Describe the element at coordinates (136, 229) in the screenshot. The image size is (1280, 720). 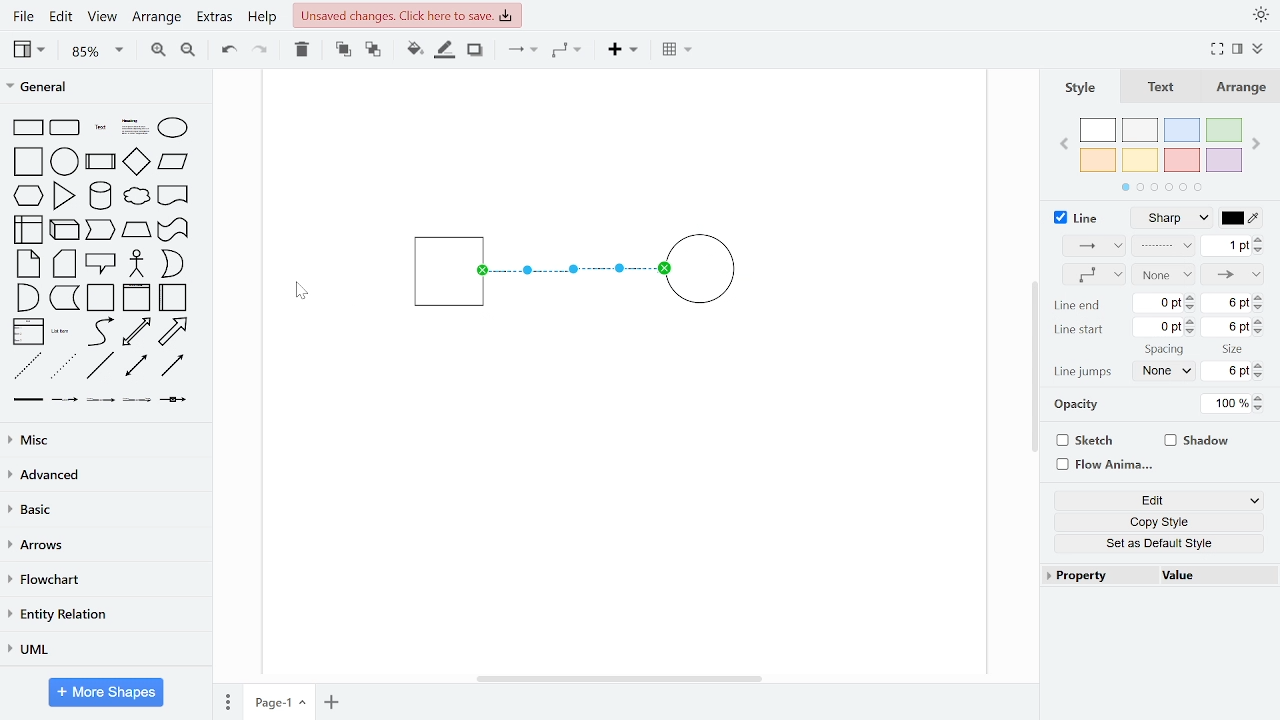
I see `trapezoid` at that location.